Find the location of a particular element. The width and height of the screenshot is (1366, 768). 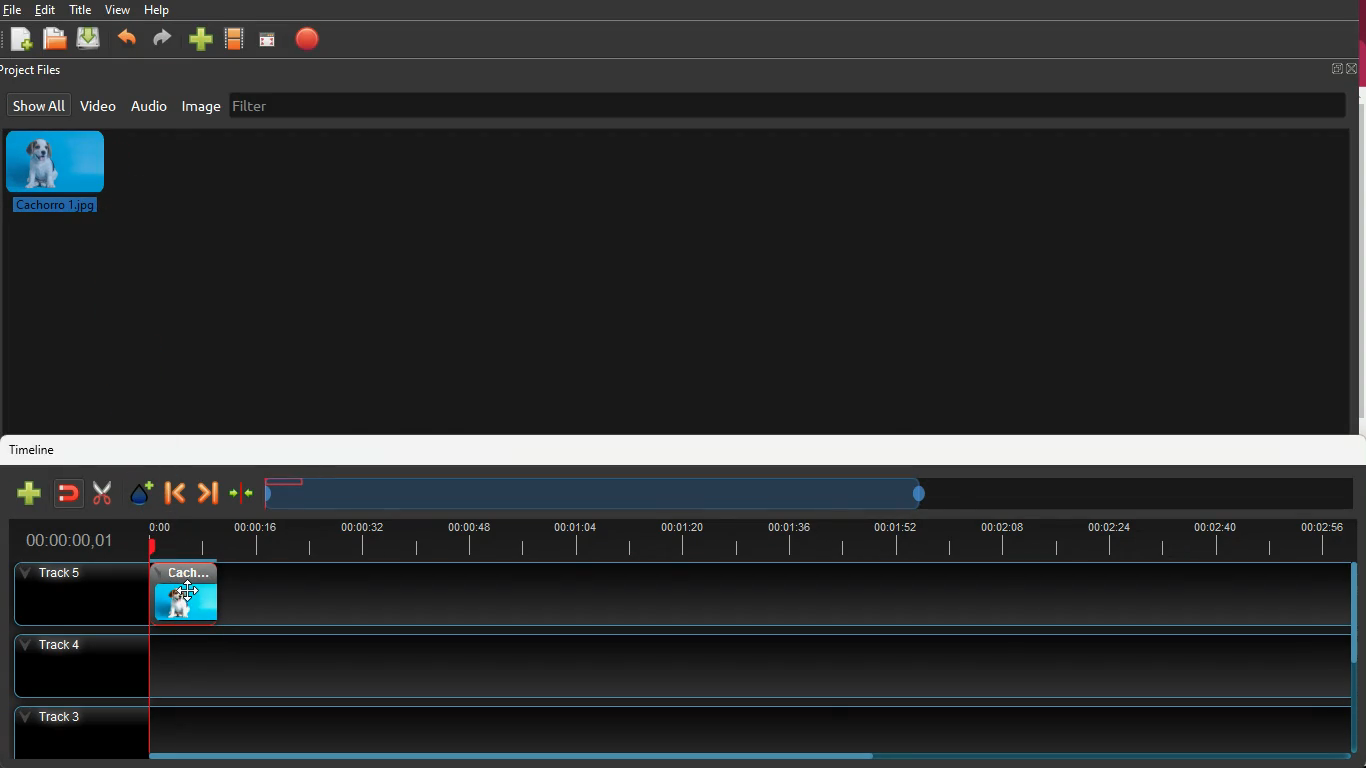

more is located at coordinates (200, 39).